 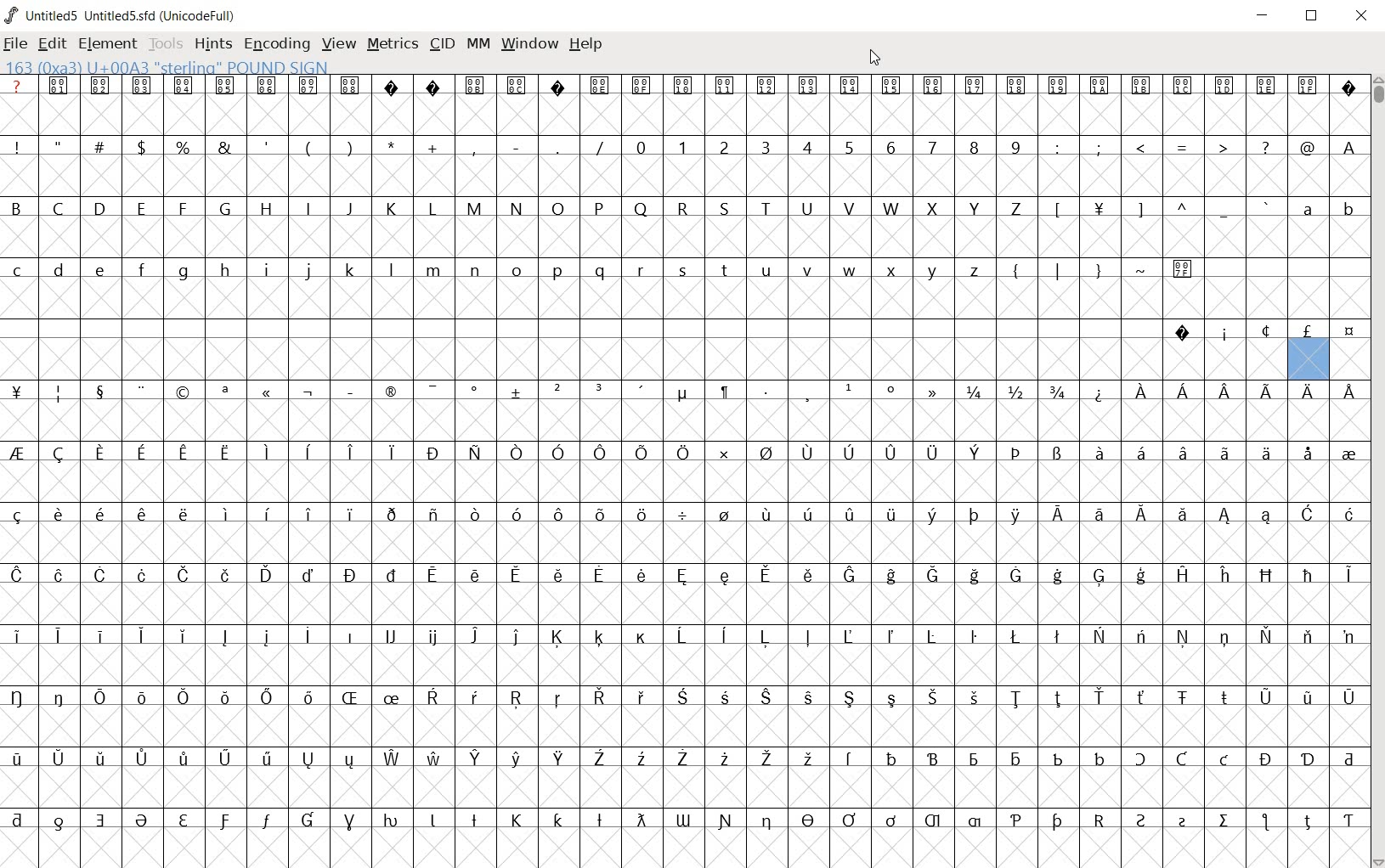 I want to click on @, so click(x=1307, y=146).